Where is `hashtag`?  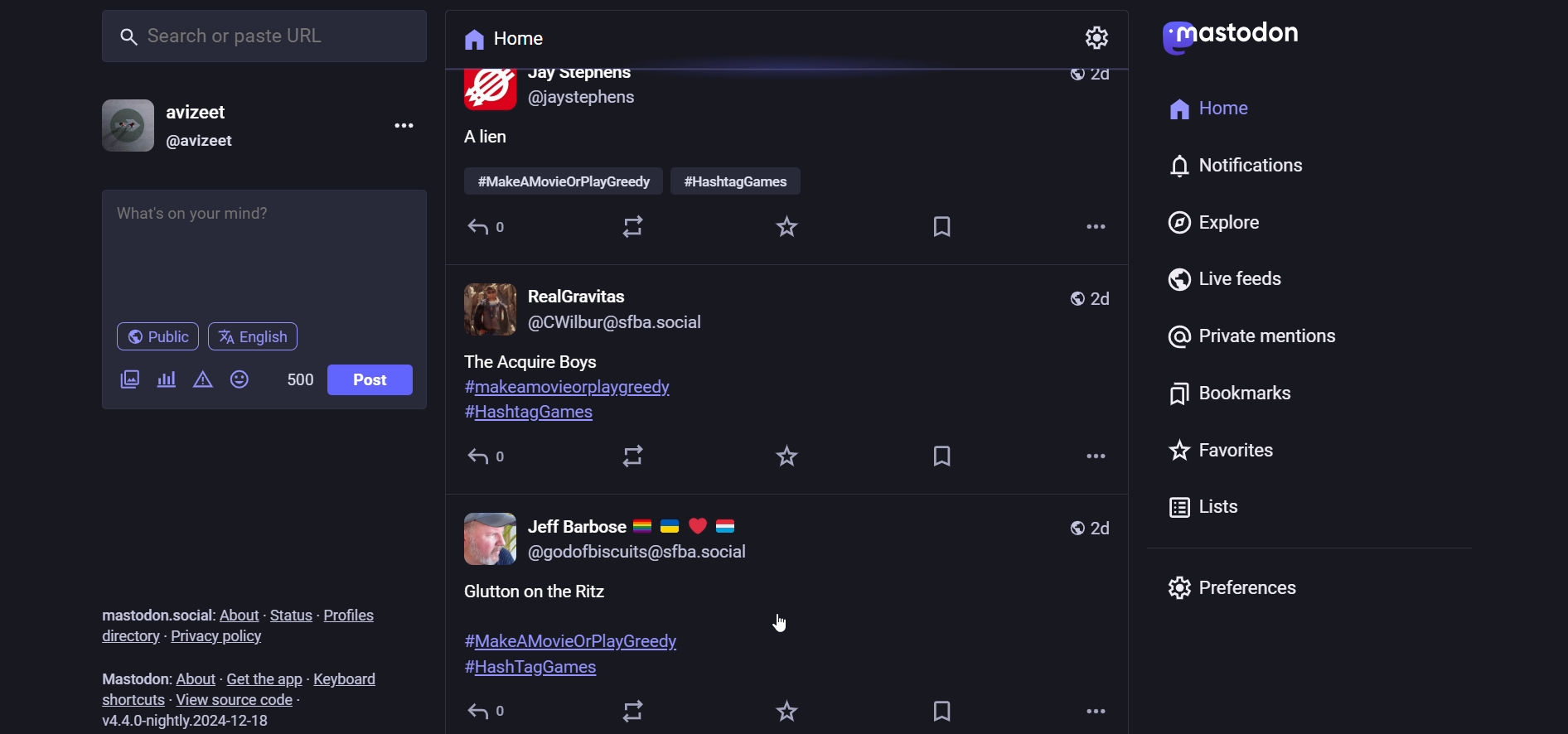 hashtag is located at coordinates (566, 389).